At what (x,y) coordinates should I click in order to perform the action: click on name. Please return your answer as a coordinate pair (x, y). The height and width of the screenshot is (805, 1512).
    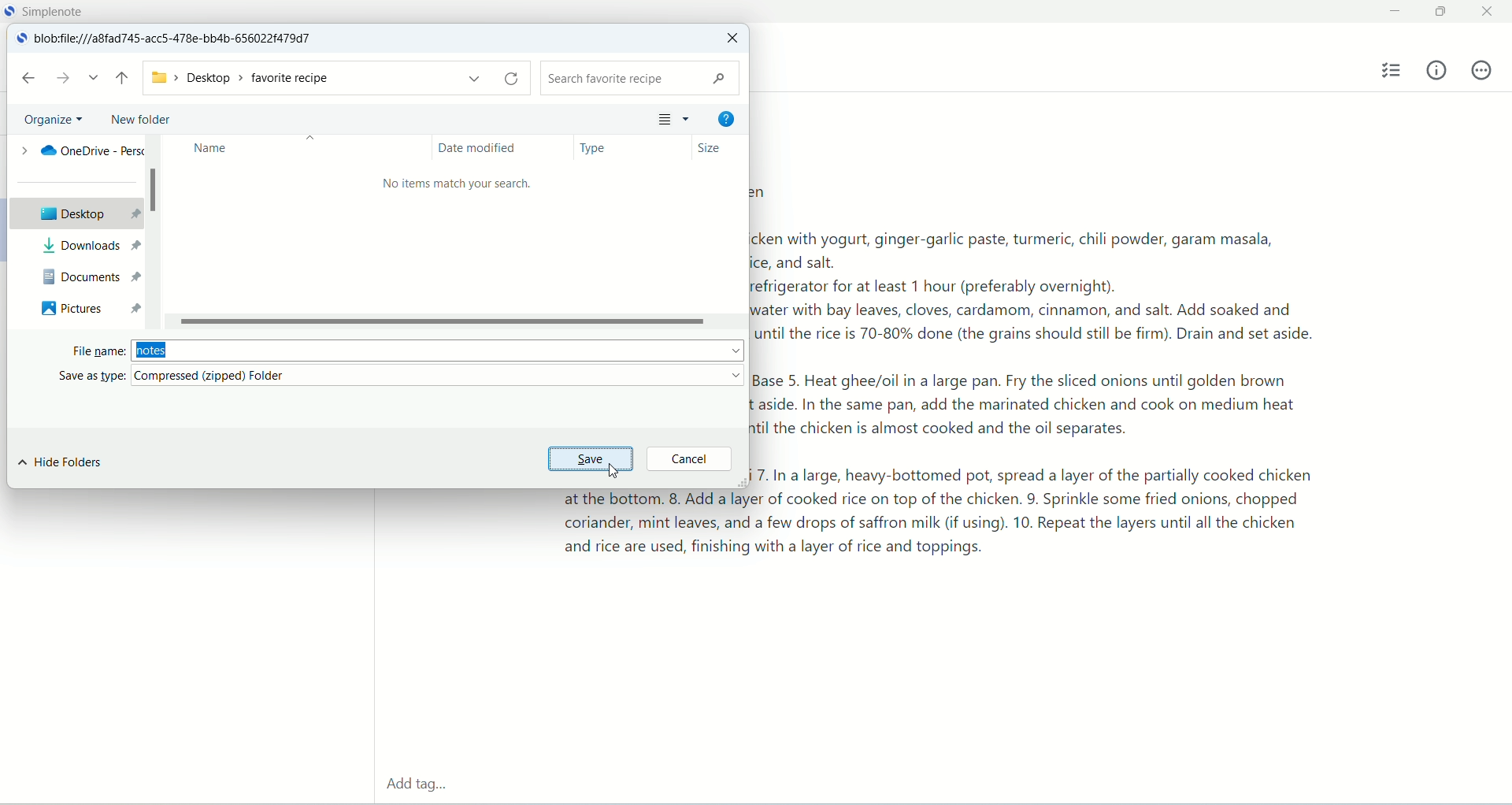
    Looking at the image, I should click on (210, 148).